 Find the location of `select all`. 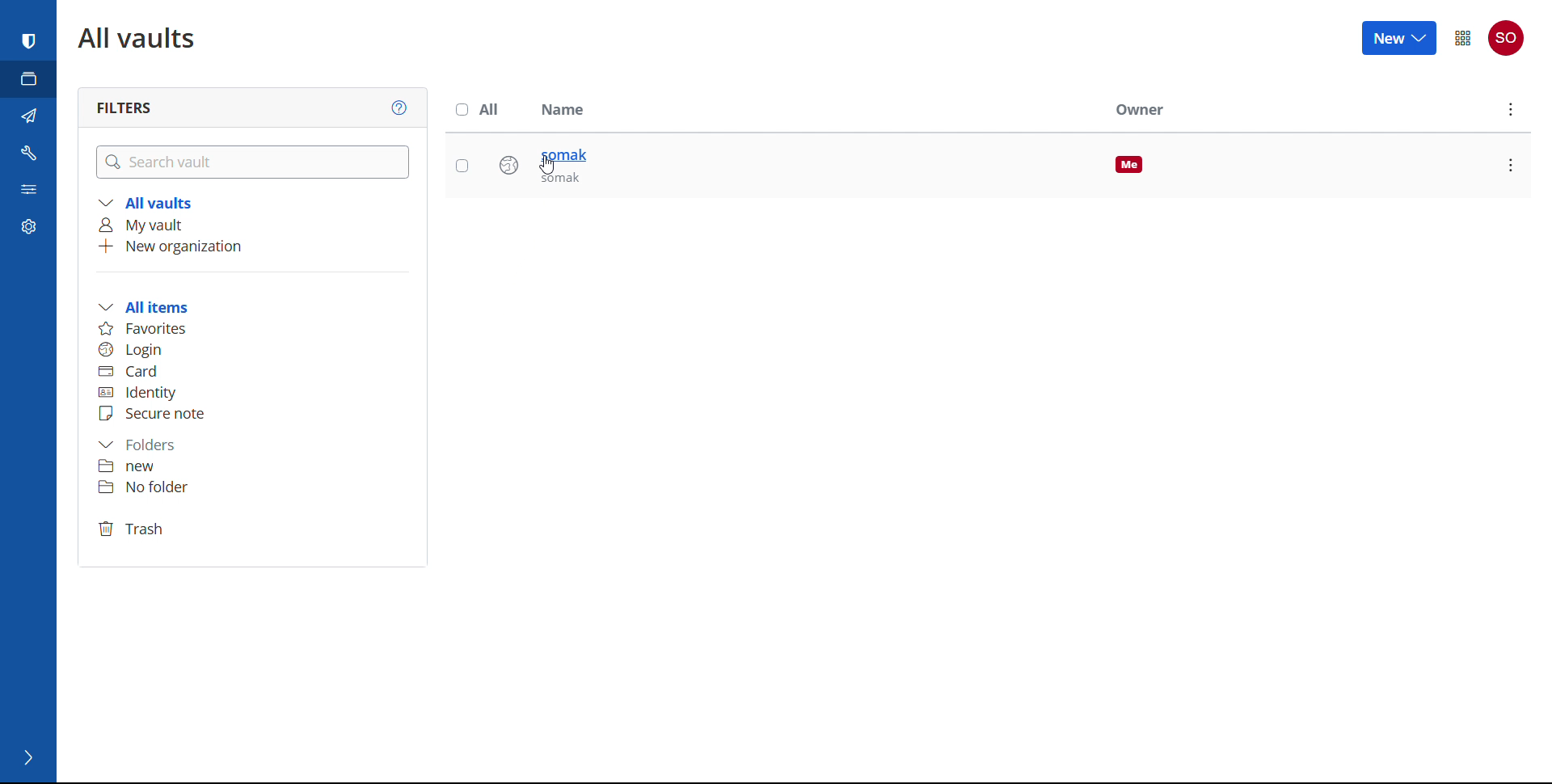

select all is located at coordinates (474, 108).